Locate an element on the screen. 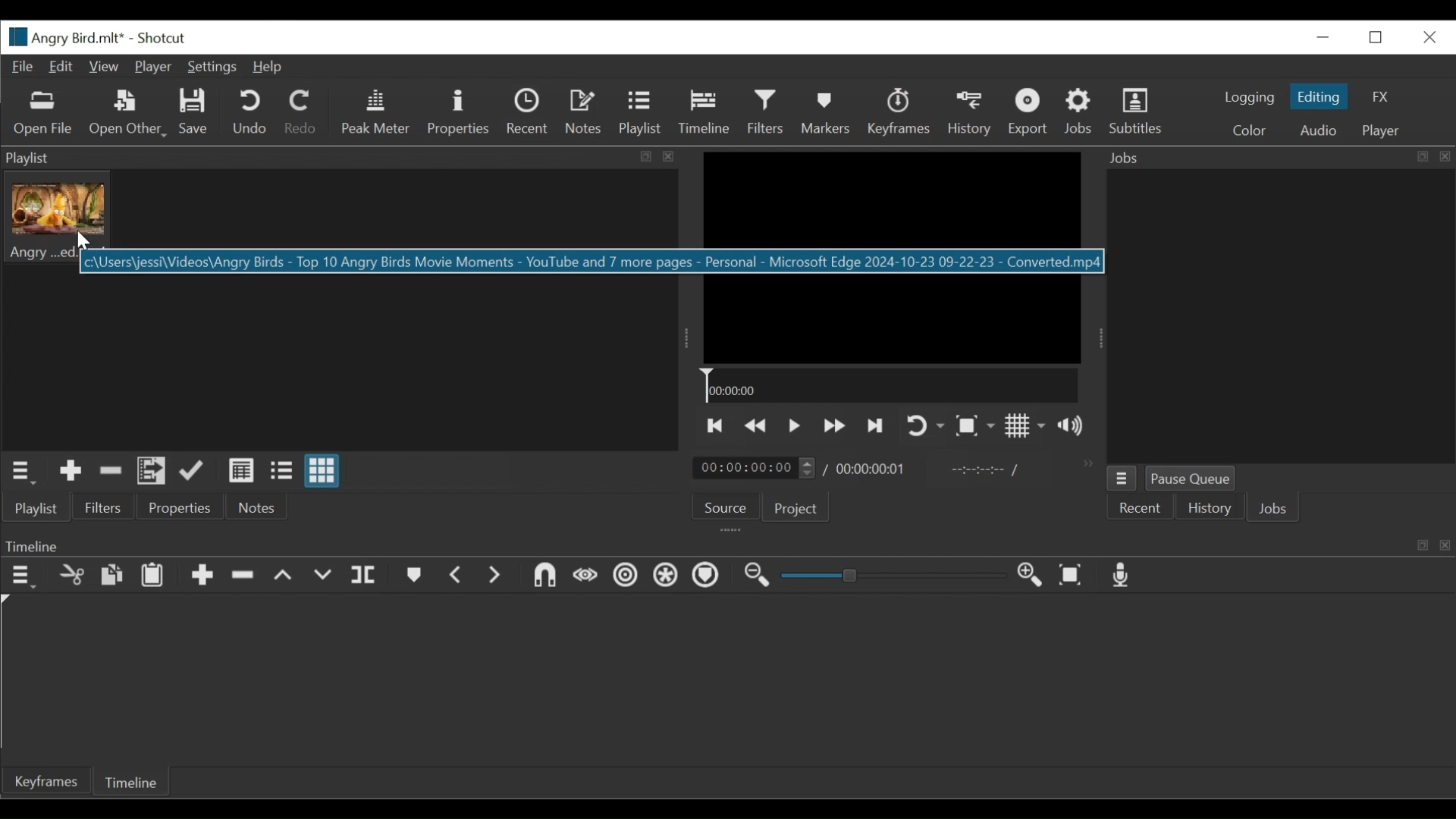  Sow volume control is located at coordinates (1070, 425).